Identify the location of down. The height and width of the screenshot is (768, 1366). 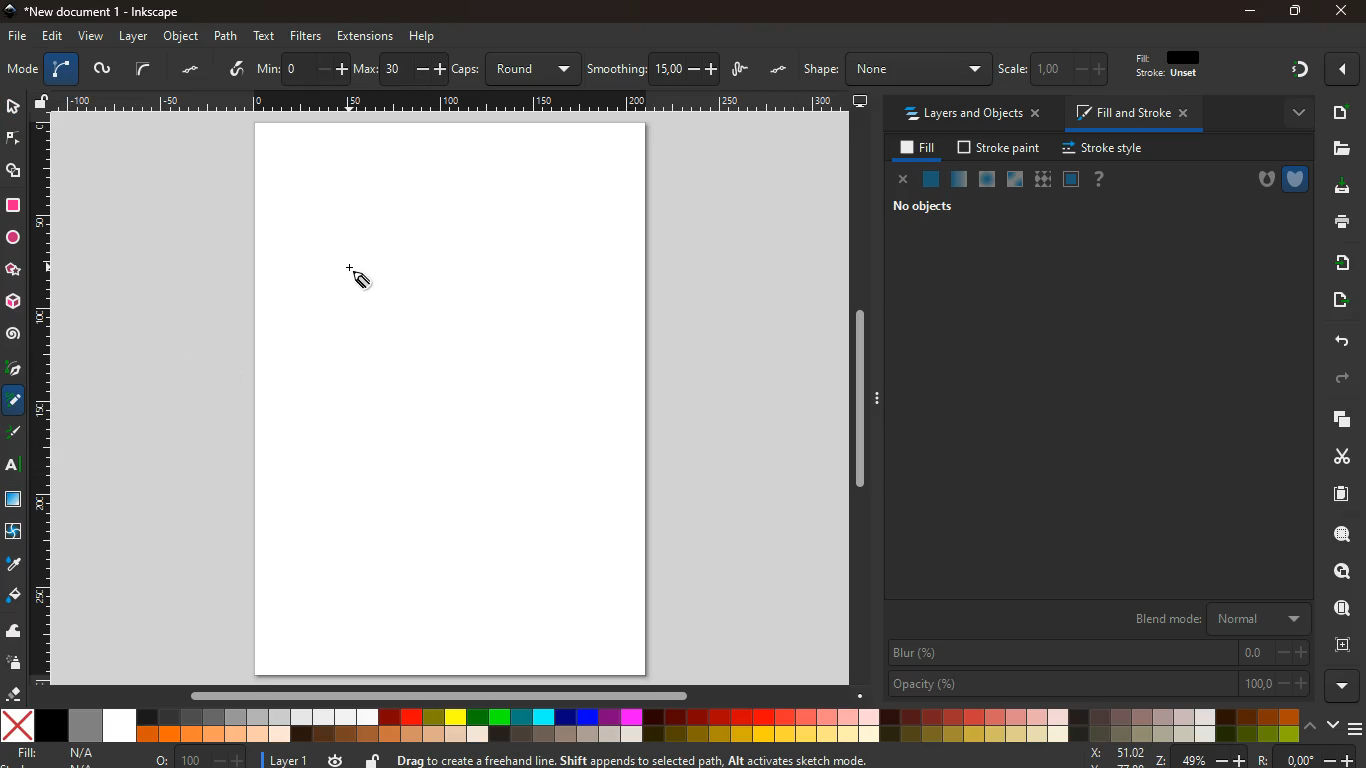
(1331, 725).